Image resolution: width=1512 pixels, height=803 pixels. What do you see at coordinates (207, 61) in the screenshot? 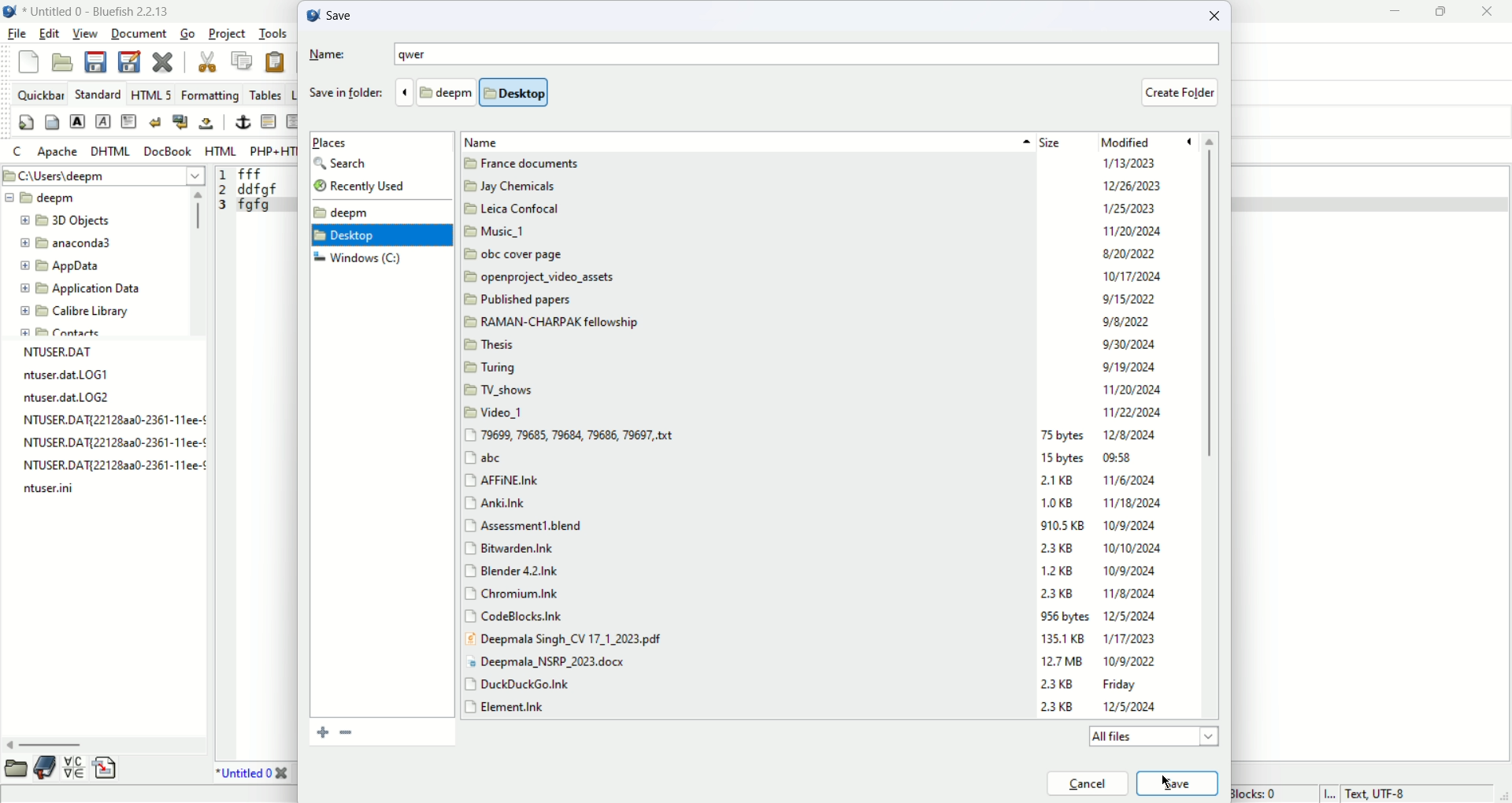
I see `cut` at bounding box center [207, 61].